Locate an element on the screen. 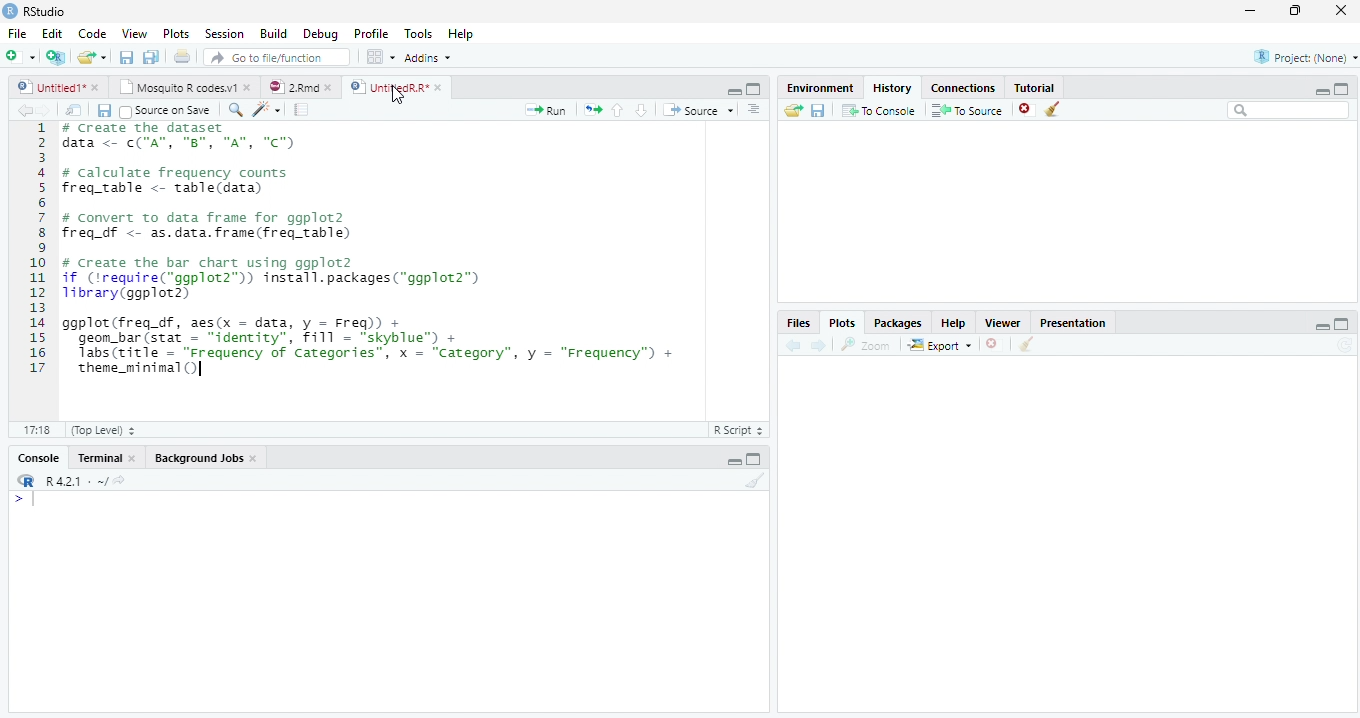 The height and width of the screenshot is (718, 1360). Create the dataset data <- c("a", "8", "A", "¢")calculate frequency countsreq_table <- table(data)Convert to data frame for ggplot2req_df <- as. data. frame(freq_table)Create the bar chart using ggplot2f (irequire(“ggplot2”)) install.packages(“ggplot2”)ibrary(ggplot2)gplot(freq df, aes(x = data, y = Freq) +geom_bar (stat = “identity”, fill = "skyblue") +labs (title = "Frequency of Categories”, x = “Category”, y = Frequency”) +theme_minimal 0] is located at coordinates (416, 248).